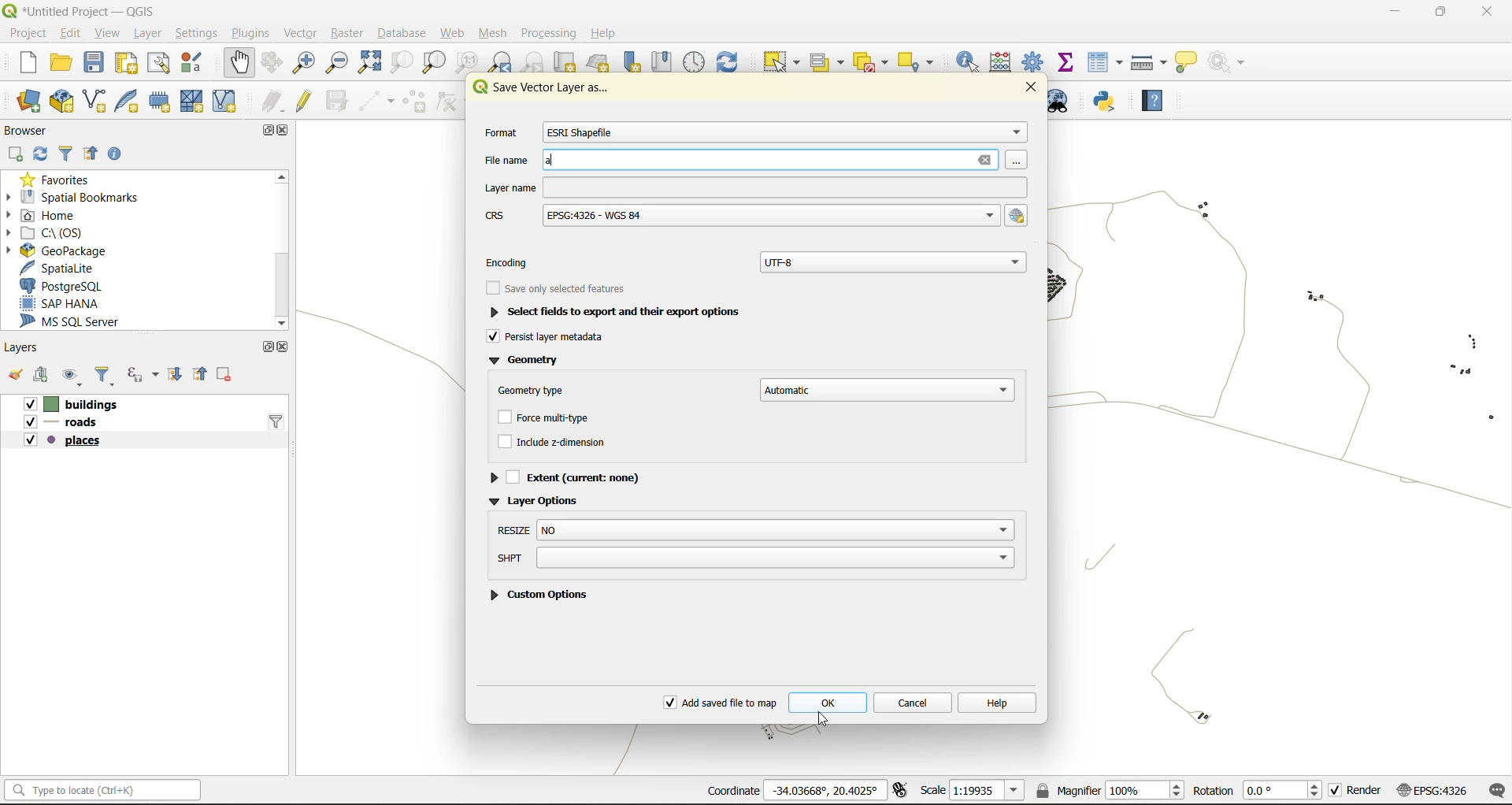 The height and width of the screenshot is (805, 1512). Describe the element at coordinates (584, 132) in the screenshot. I see `format changed` at that location.